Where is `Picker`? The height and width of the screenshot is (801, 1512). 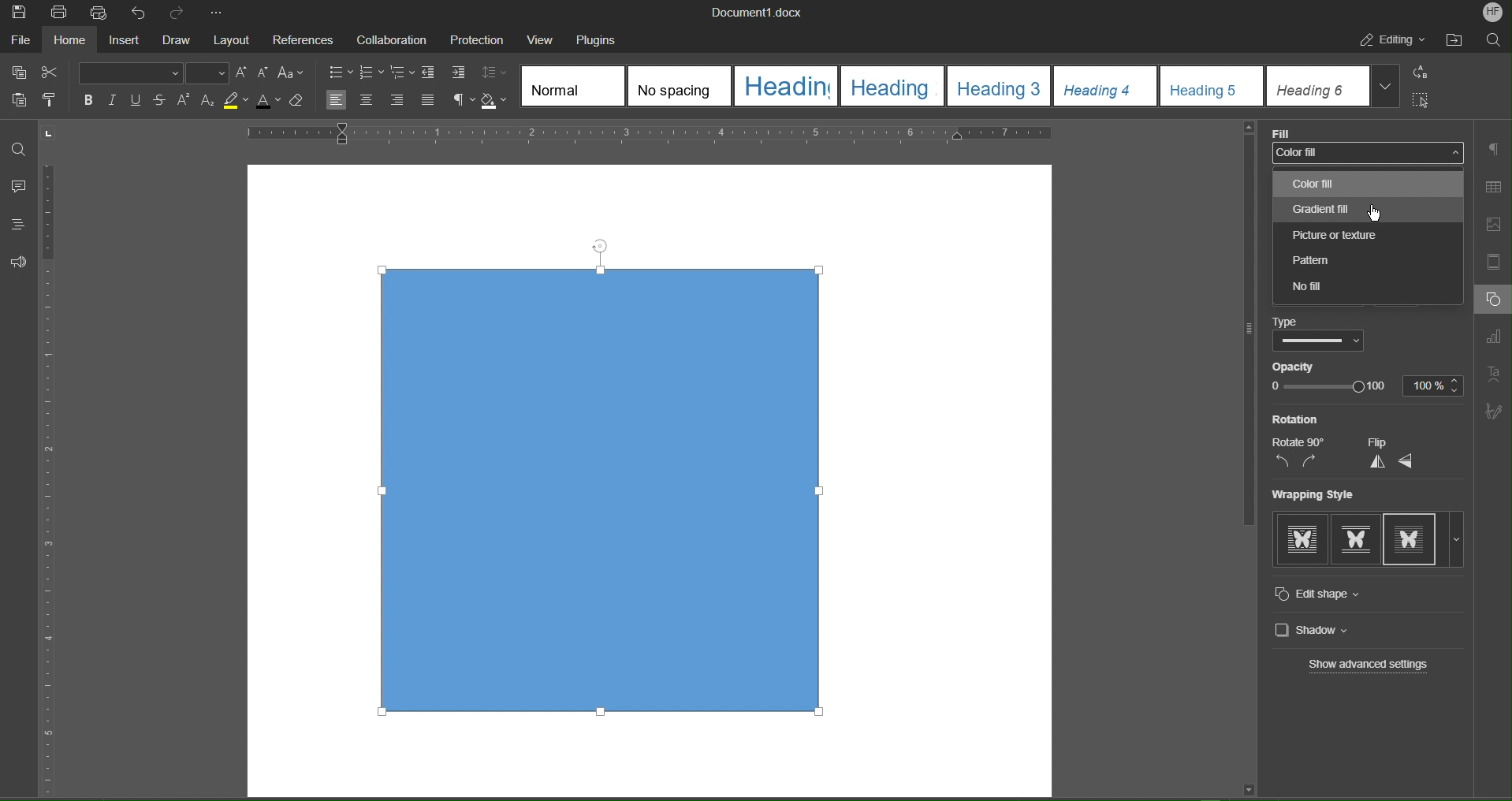 Picker is located at coordinates (1317, 341).